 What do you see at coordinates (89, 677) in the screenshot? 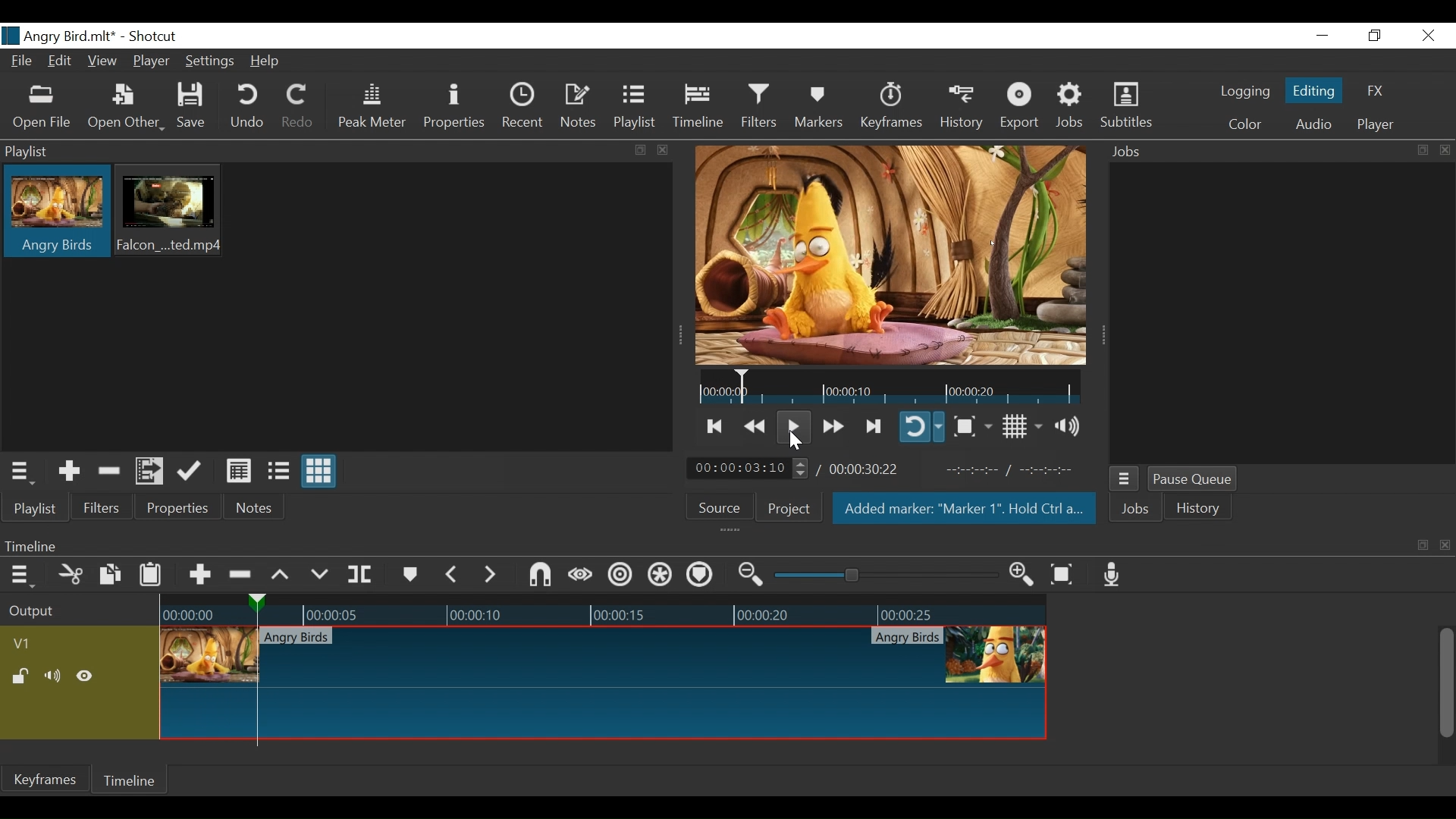
I see `Hide` at bounding box center [89, 677].